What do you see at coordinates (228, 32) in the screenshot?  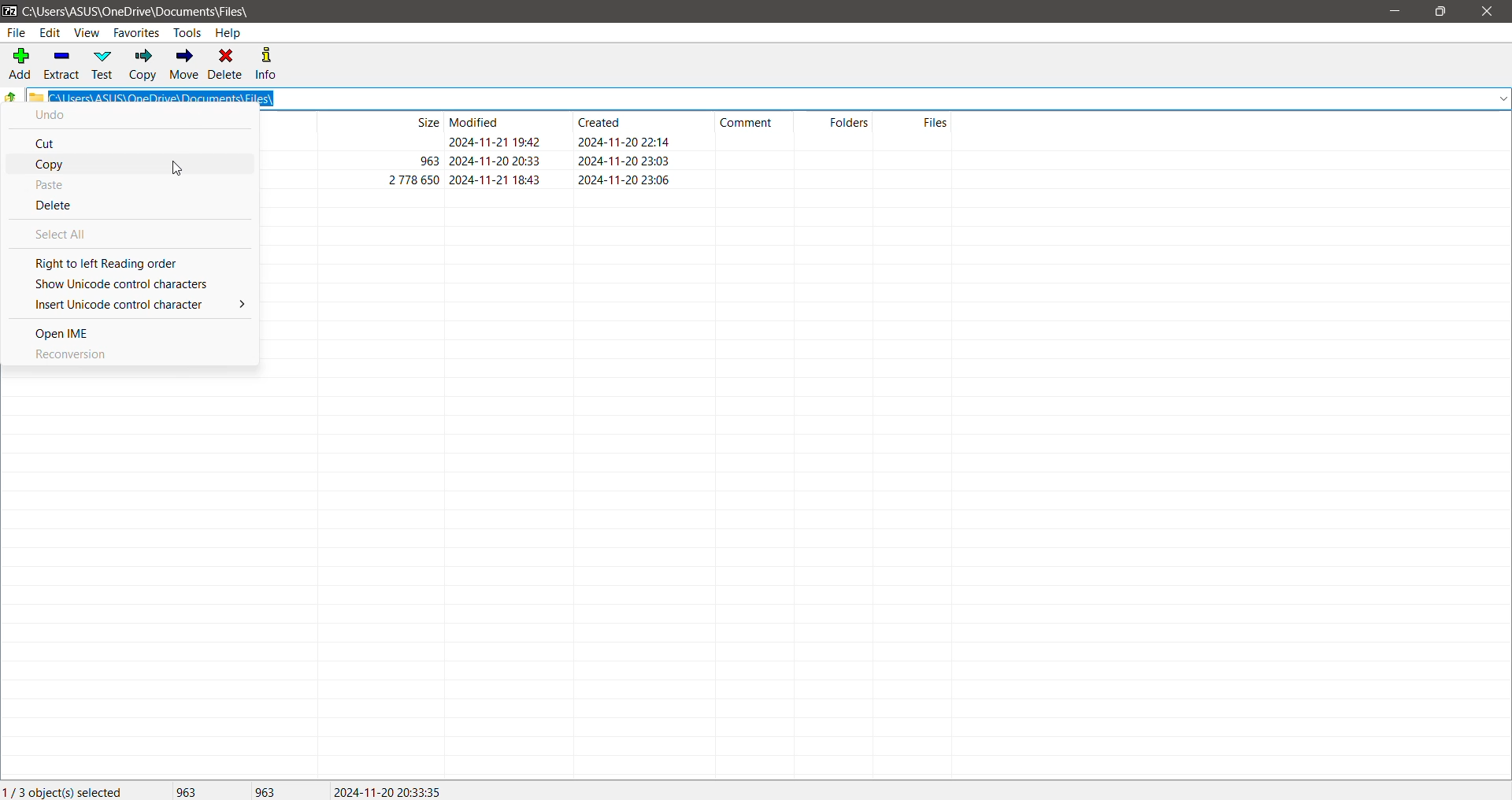 I see `Help` at bounding box center [228, 32].